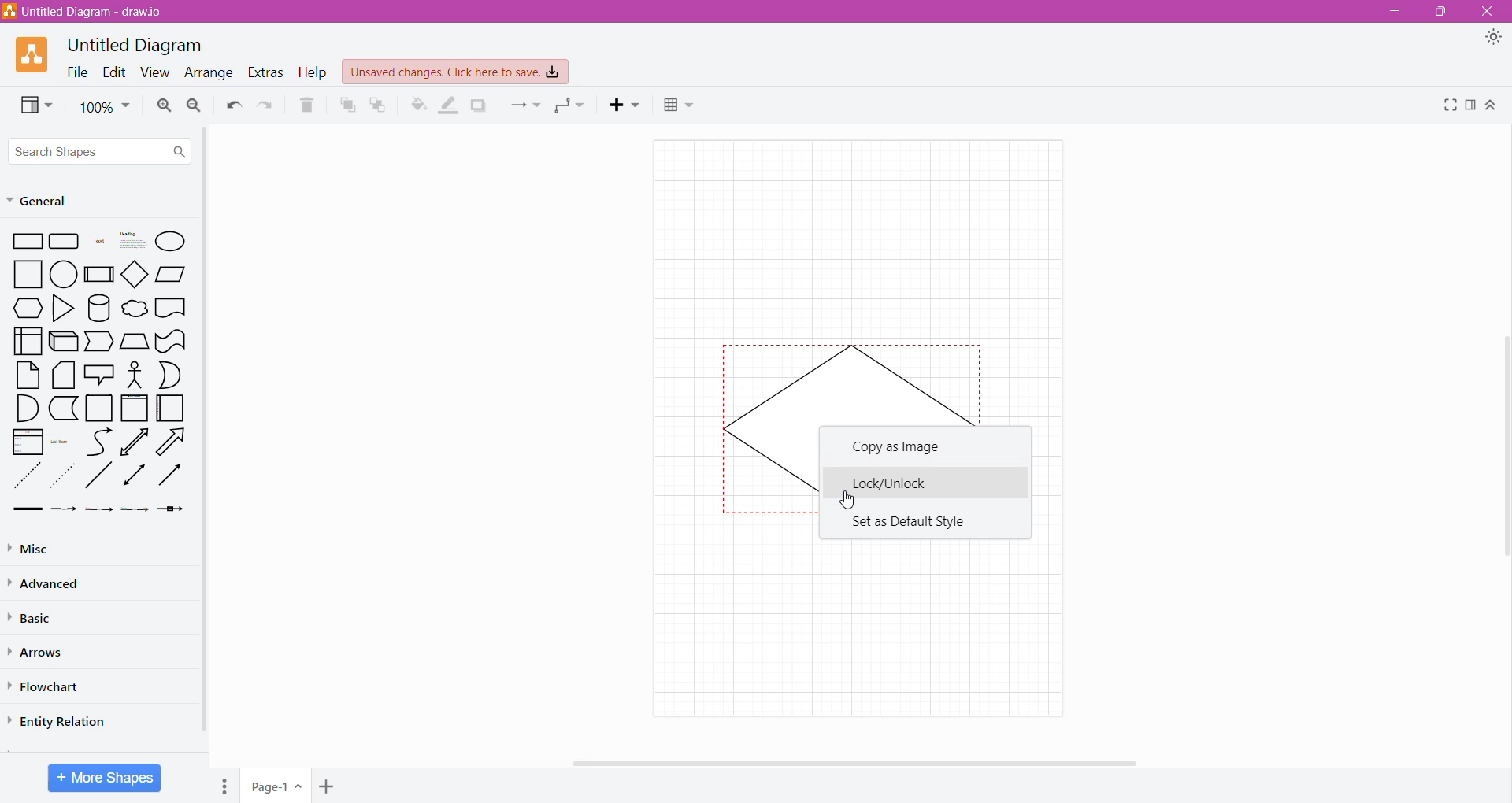 This screenshot has height=803, width=1512. Describe the element at coordinates (1443, 12) in the screenshot. I see `Restore Down` at that location.